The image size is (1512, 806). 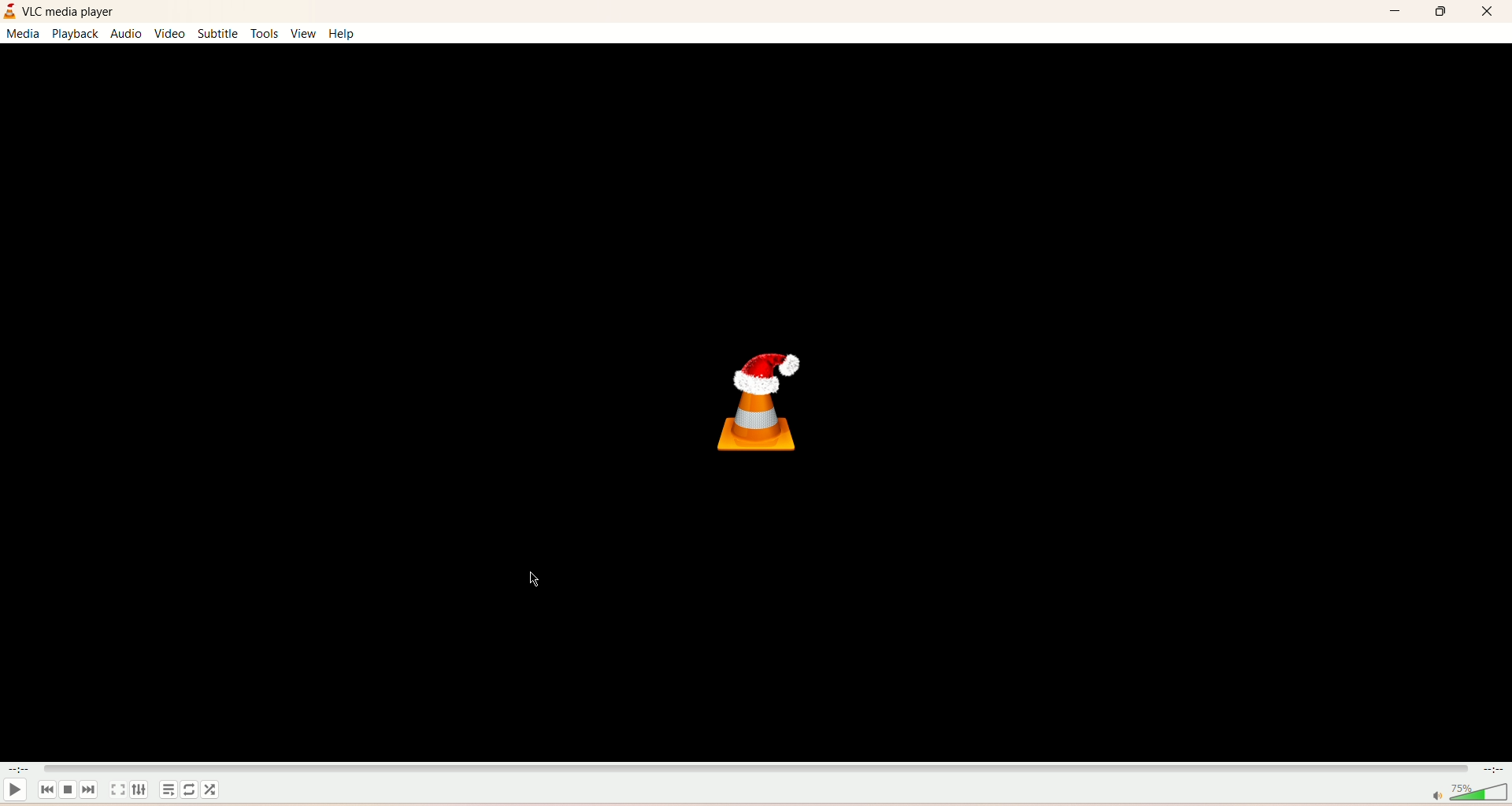 What do you see at coordinates (1468, 793) in the screenshot?
I see `volume bar` at bounding box center [1468, 793].